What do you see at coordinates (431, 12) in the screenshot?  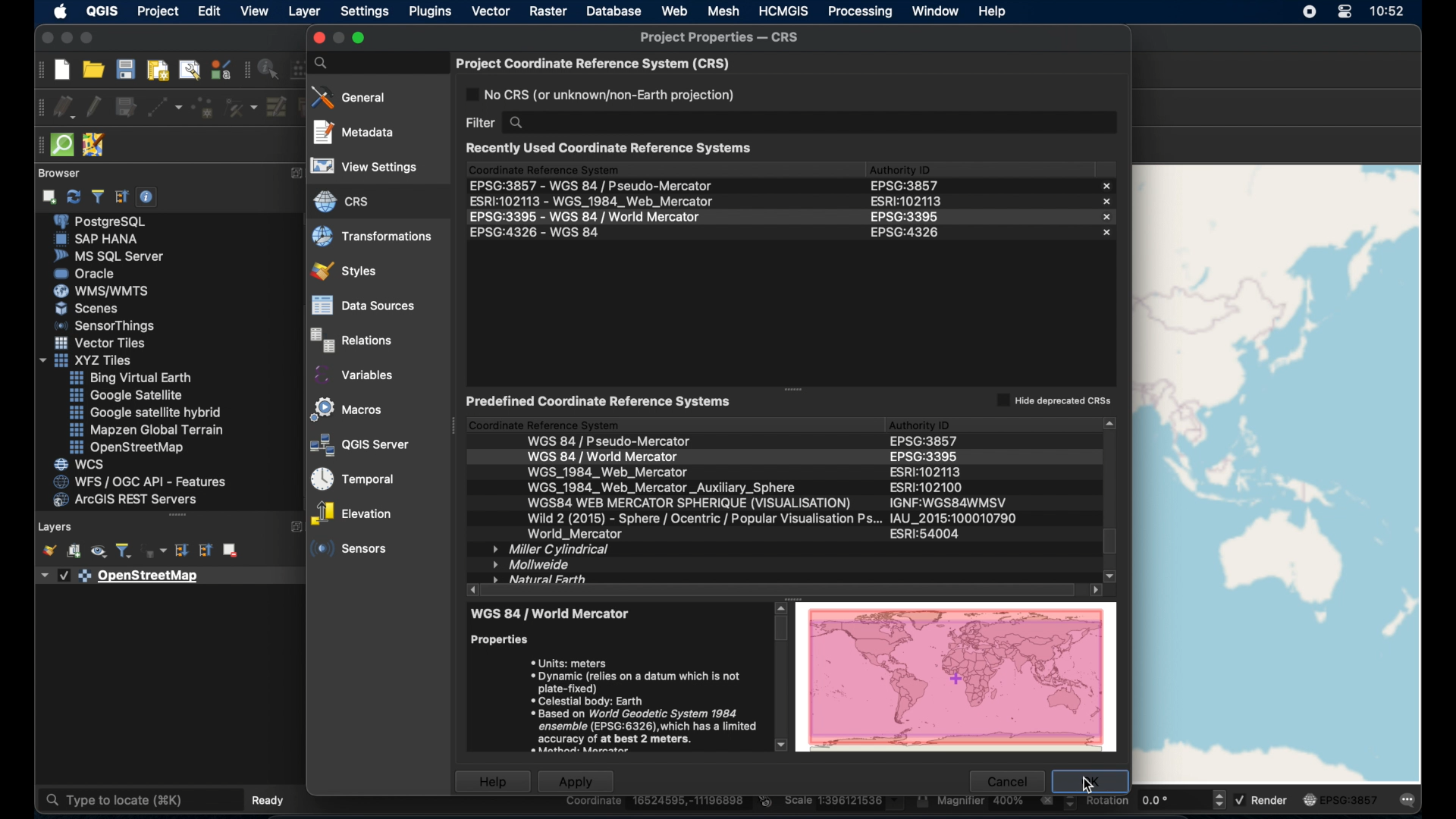 I see `plugins` at bounding box center [431, 12].